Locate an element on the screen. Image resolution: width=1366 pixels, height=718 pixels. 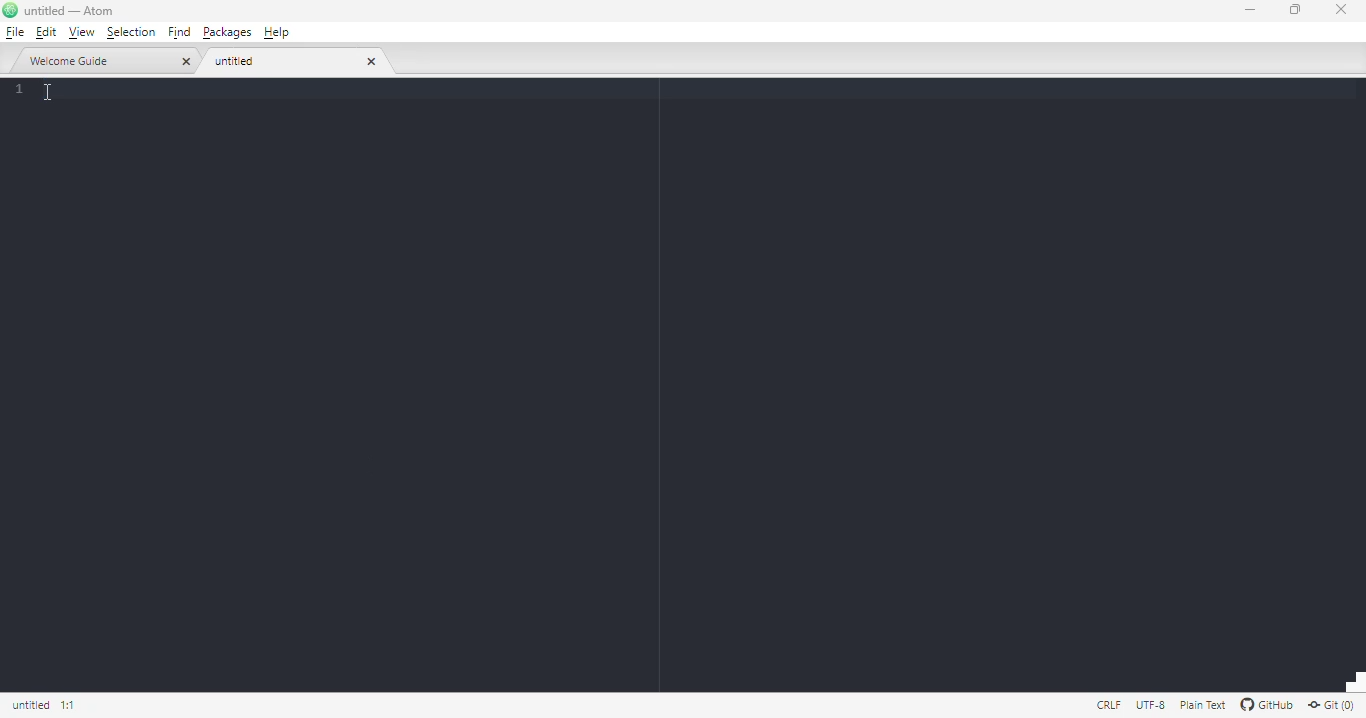
view is located at coordinates (81, 33).